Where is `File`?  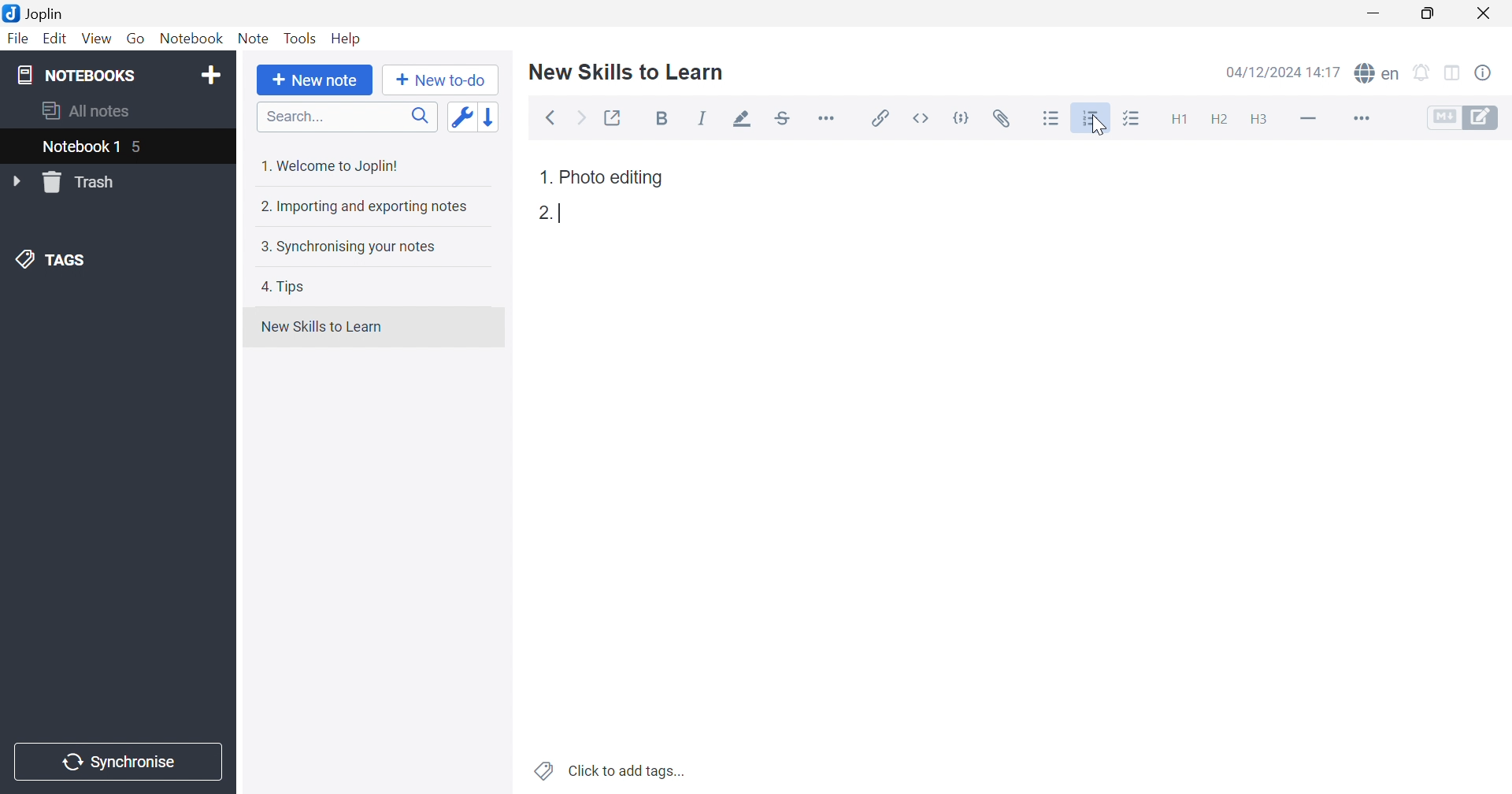 File is located at coordinates (19, 39).